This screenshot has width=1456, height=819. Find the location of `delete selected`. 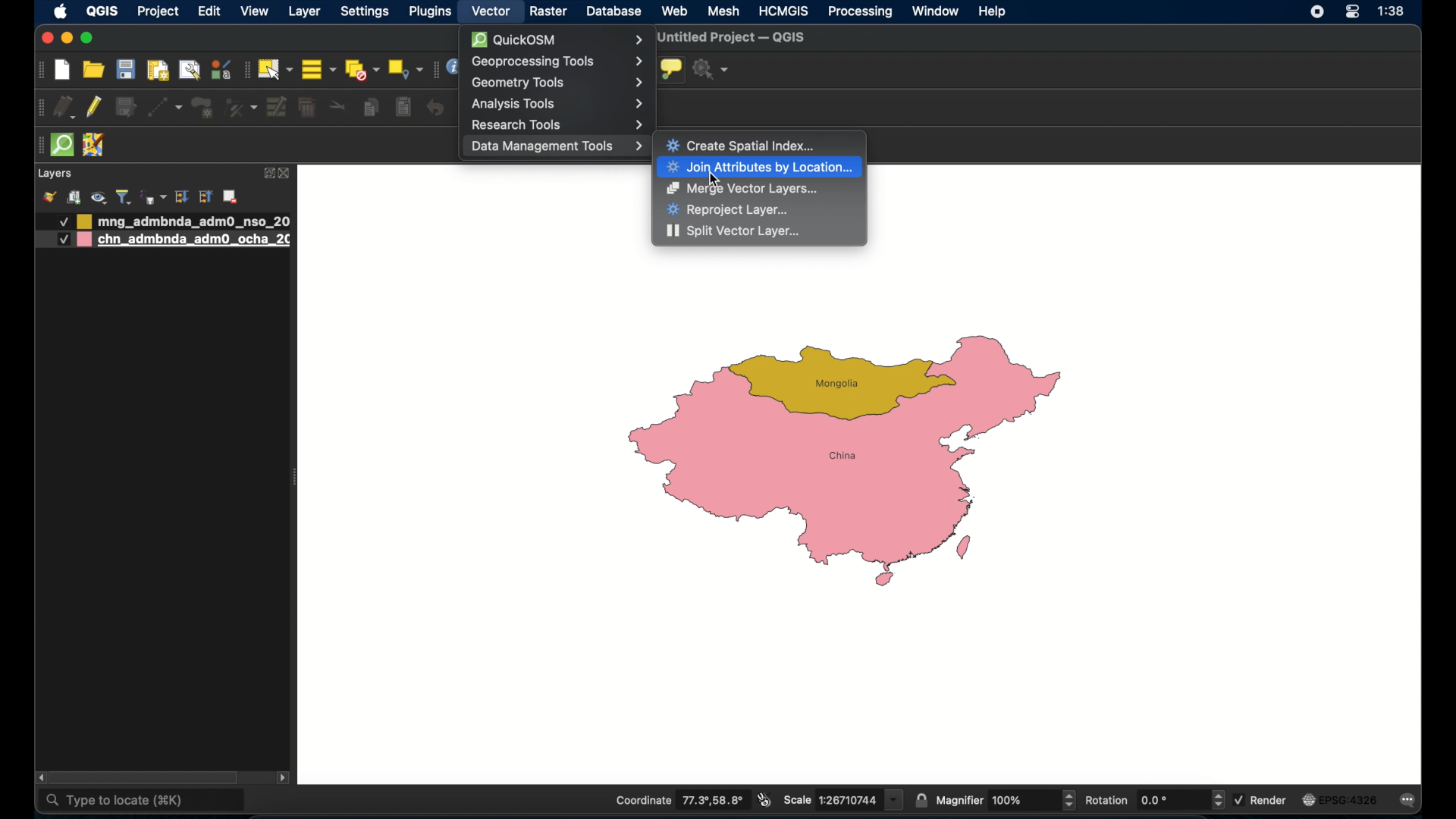

delete selected is located at coordinates (307, 108).